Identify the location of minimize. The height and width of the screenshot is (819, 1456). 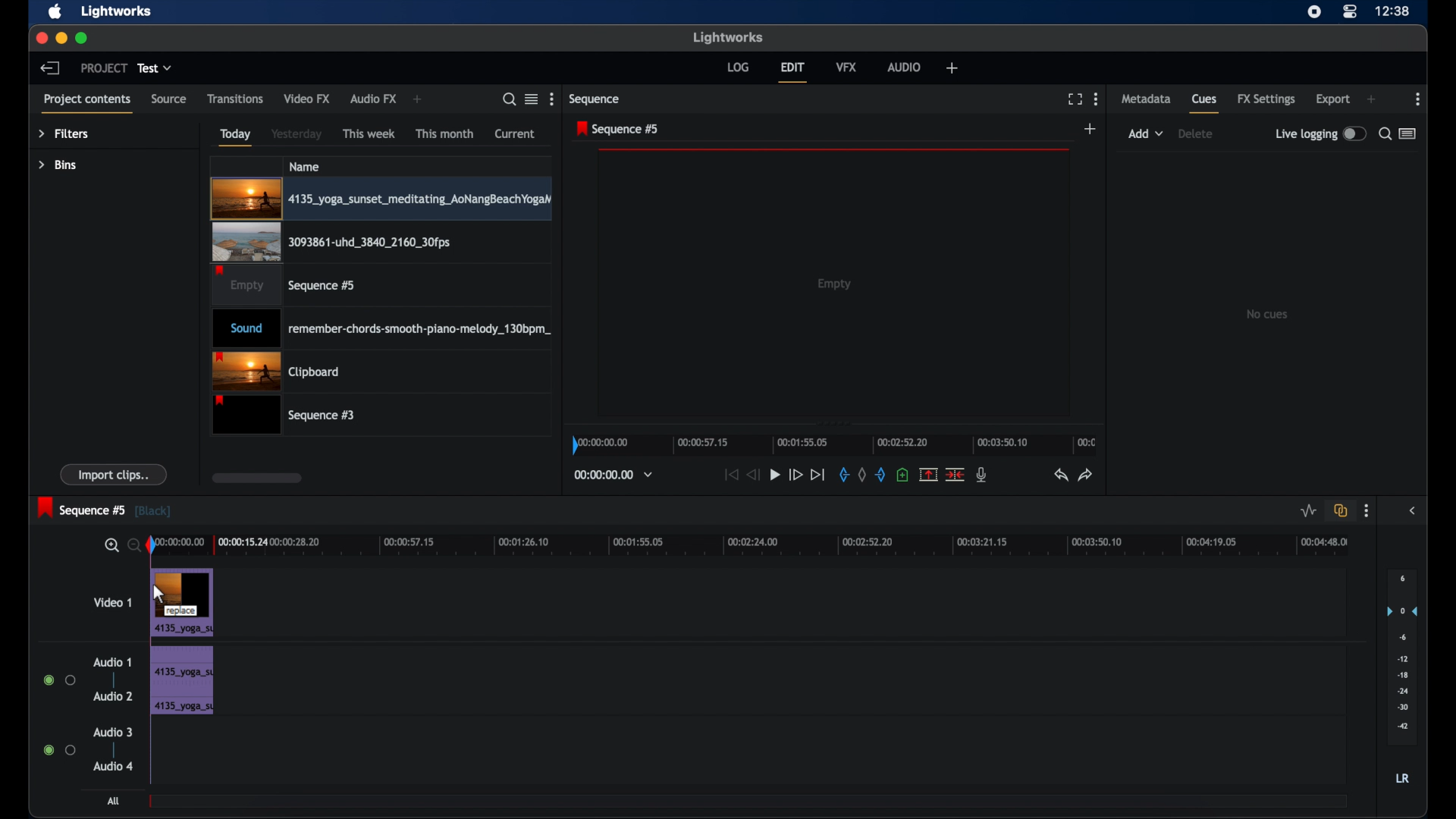
(62, 38).